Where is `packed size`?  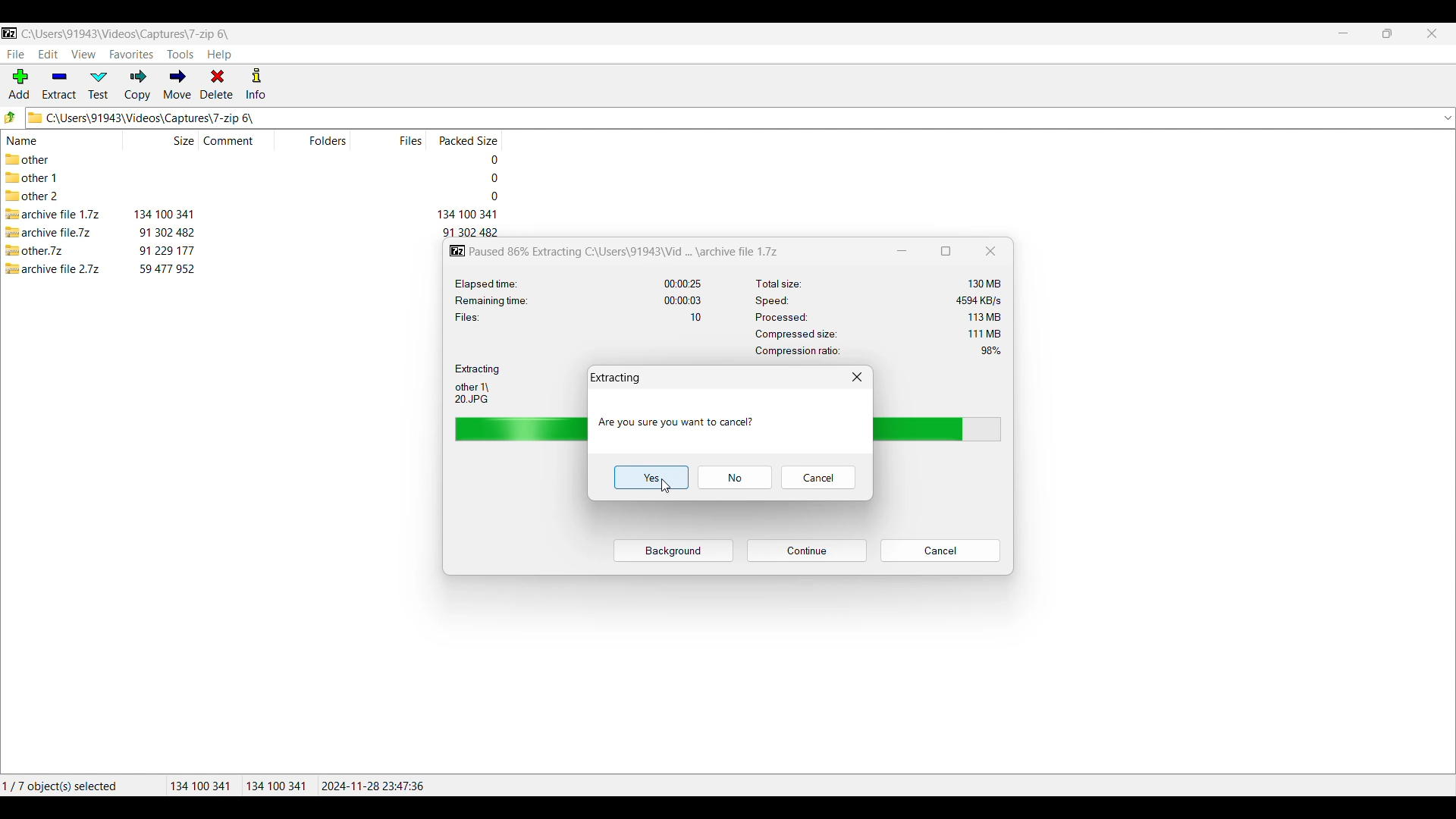
packed size is located at coordinates (466, 215).